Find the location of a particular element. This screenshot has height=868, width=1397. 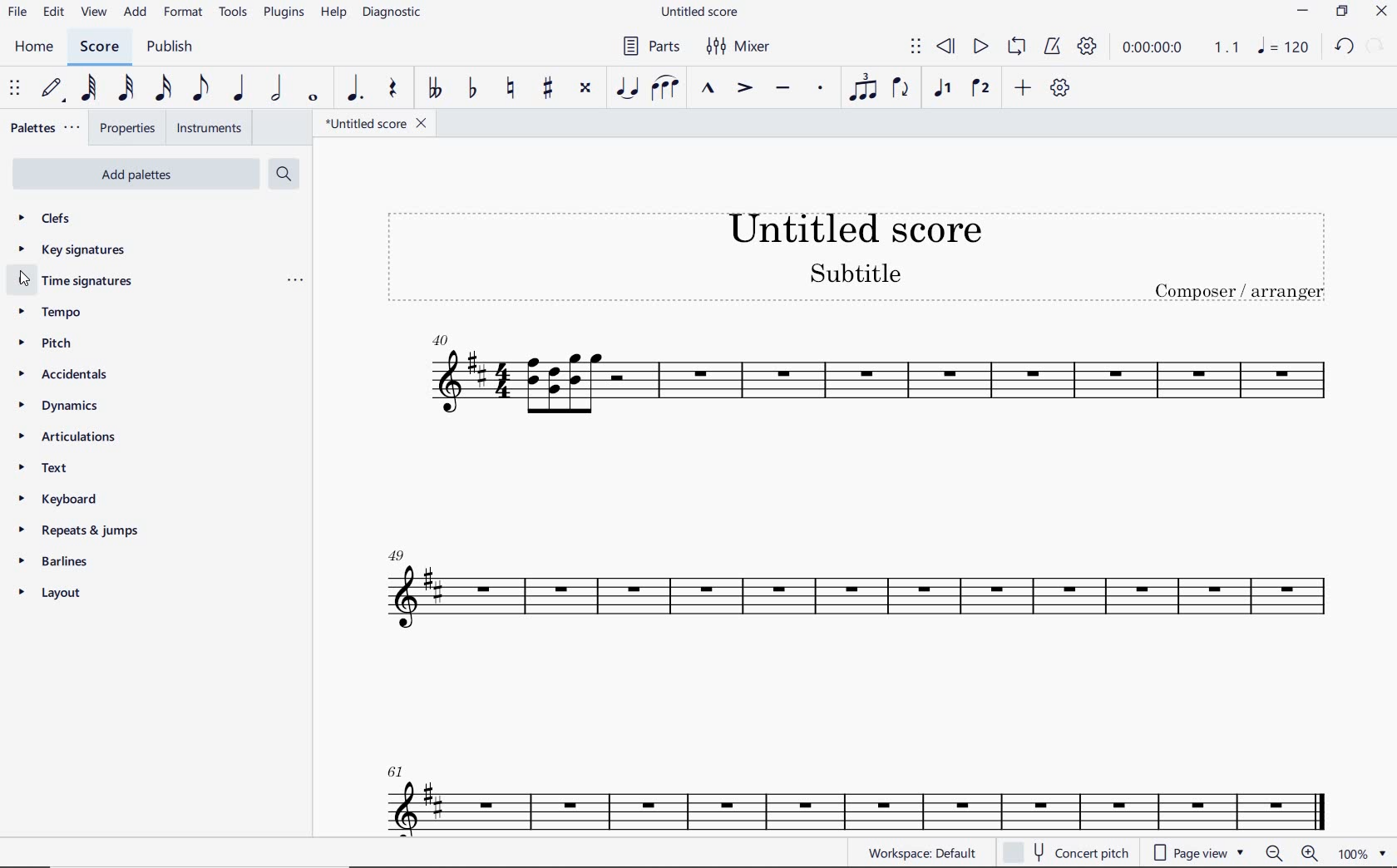

TIME SIGNATURES is located at coordinates (80, 284).